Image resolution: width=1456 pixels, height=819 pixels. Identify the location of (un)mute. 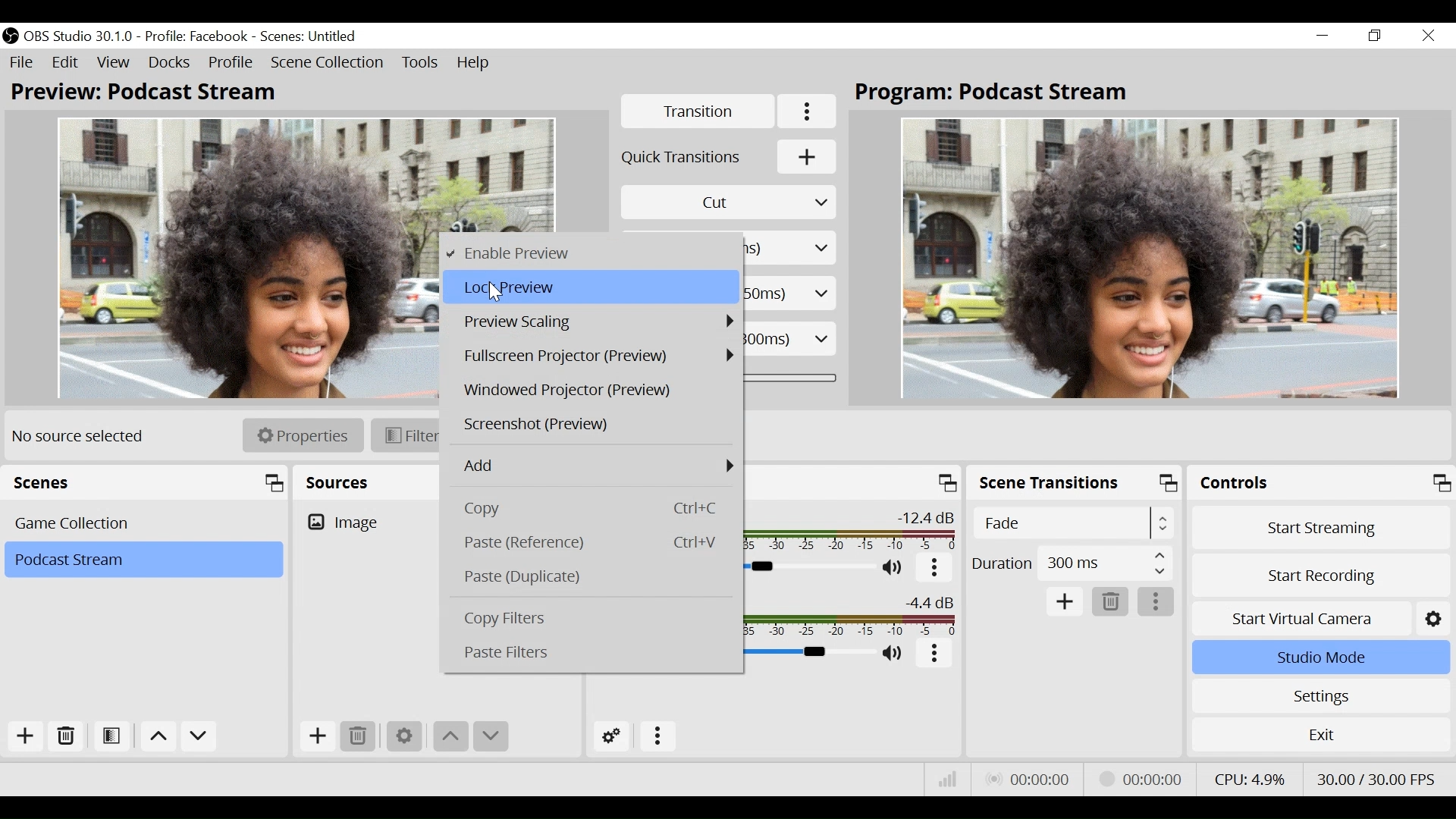
(894, 654).